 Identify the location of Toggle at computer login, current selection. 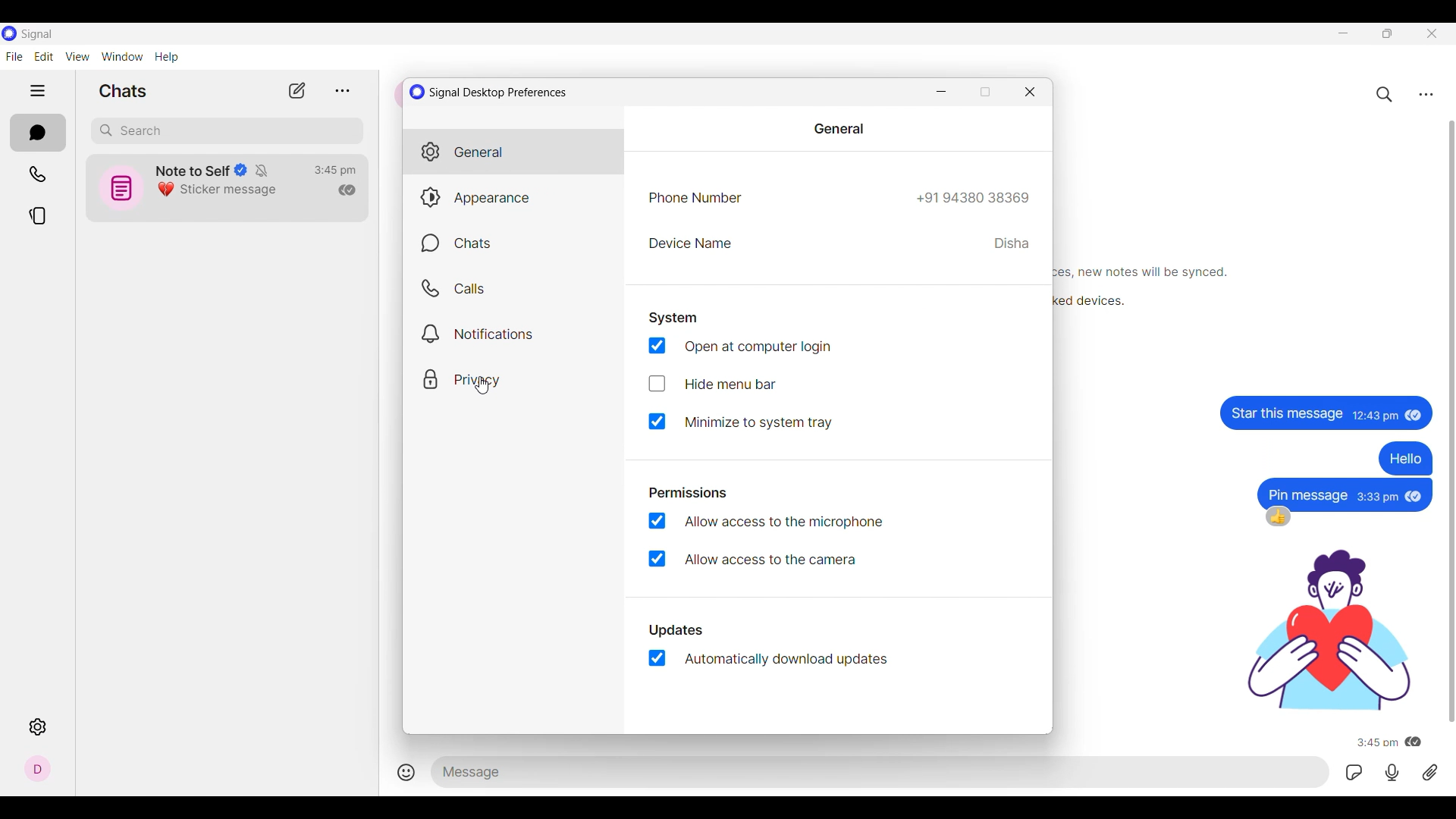
(740, 346).